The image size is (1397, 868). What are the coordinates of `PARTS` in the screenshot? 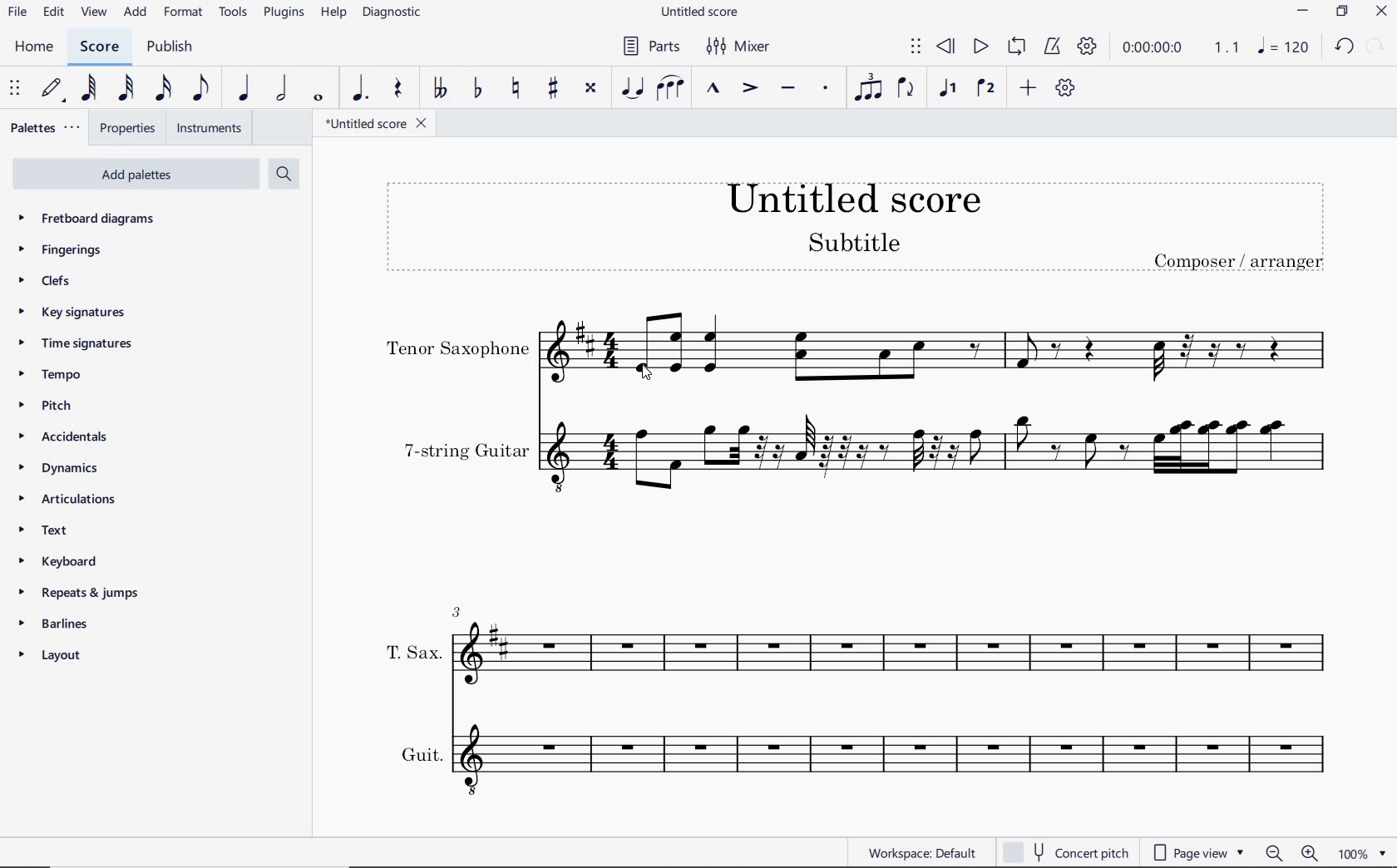 It's located at (650, 46).